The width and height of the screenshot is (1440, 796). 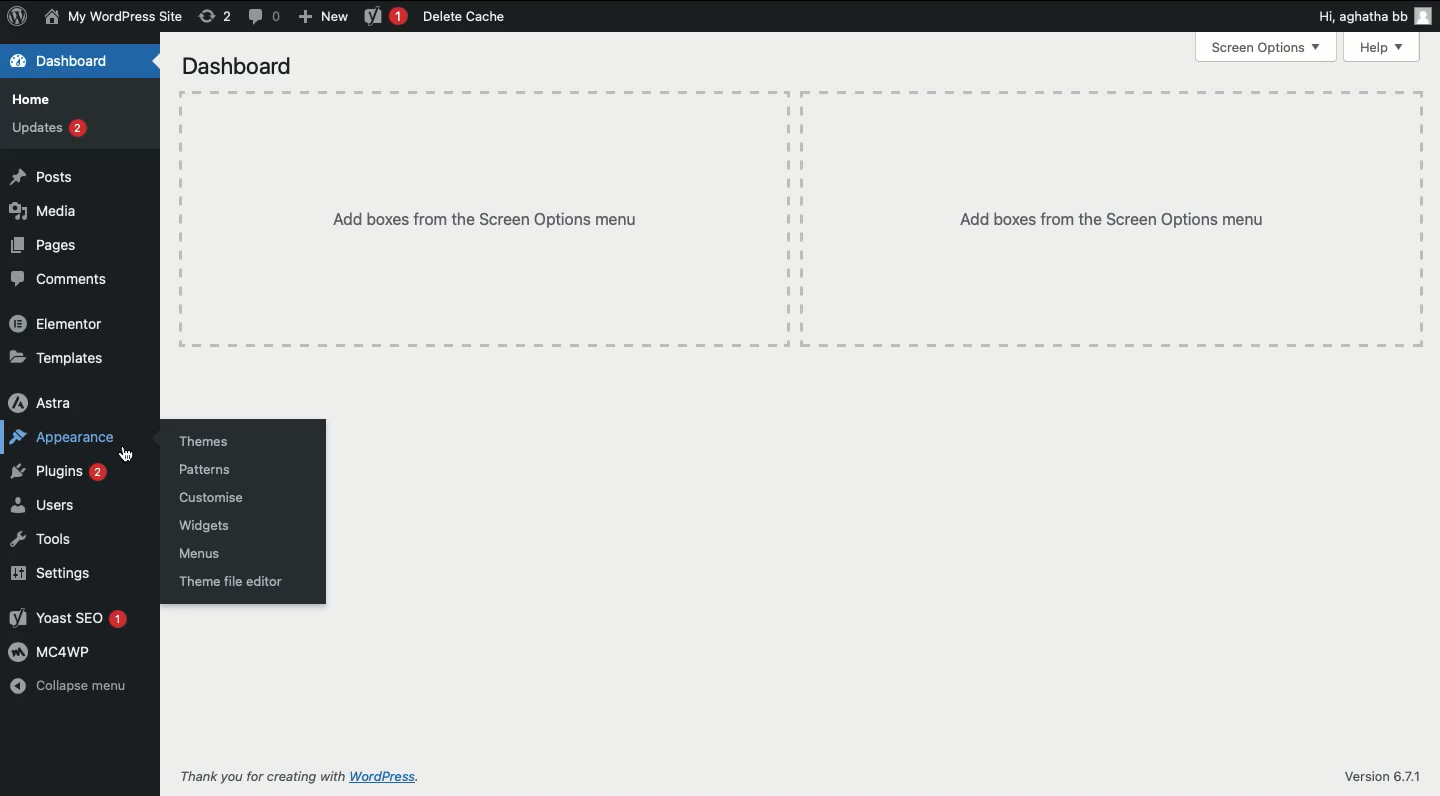 I want to click on  My WordPress Site, so click(x=118, y=18).